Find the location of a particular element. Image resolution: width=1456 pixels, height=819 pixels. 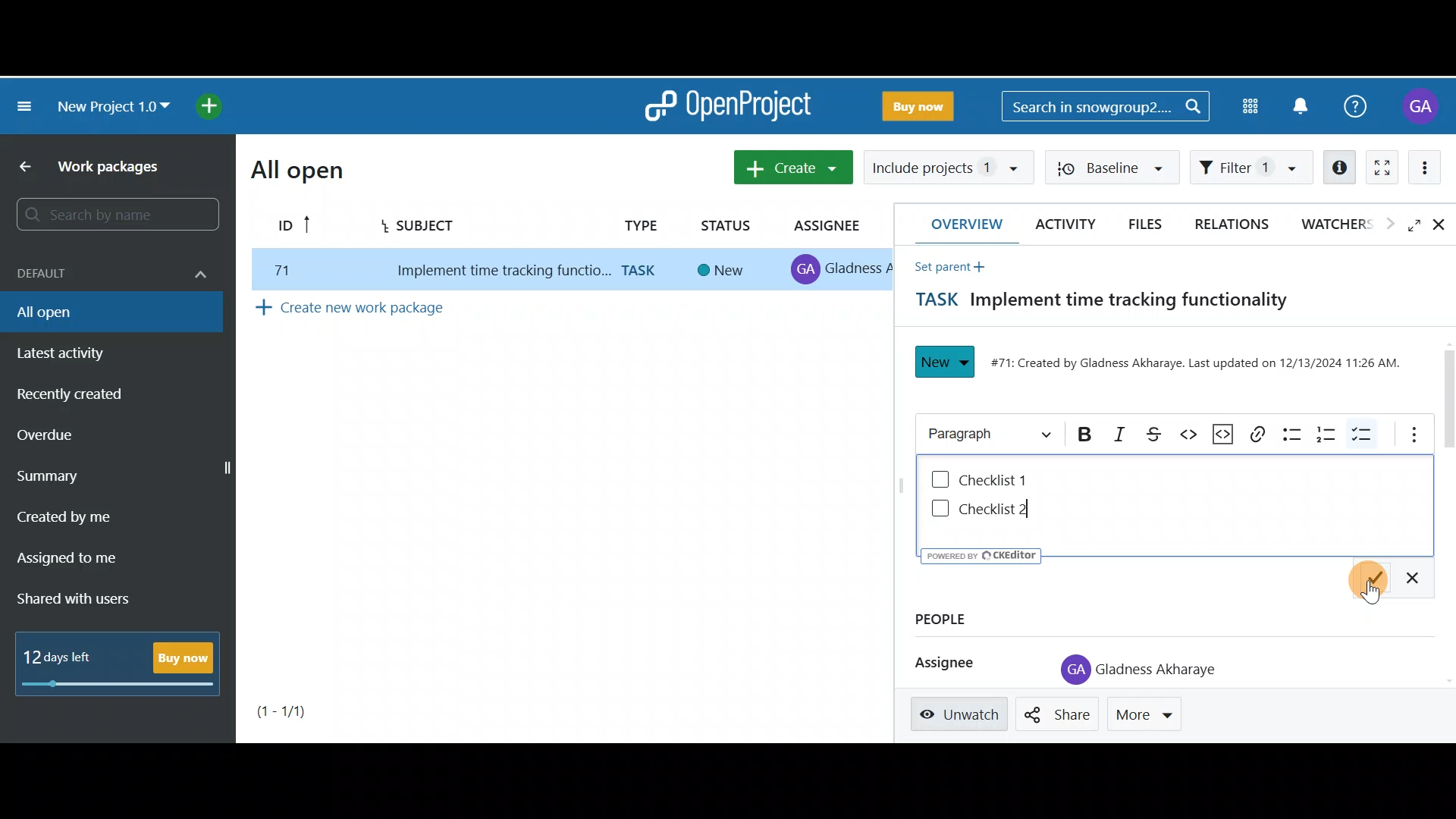

profile icon is located at coordinates (807, 270).